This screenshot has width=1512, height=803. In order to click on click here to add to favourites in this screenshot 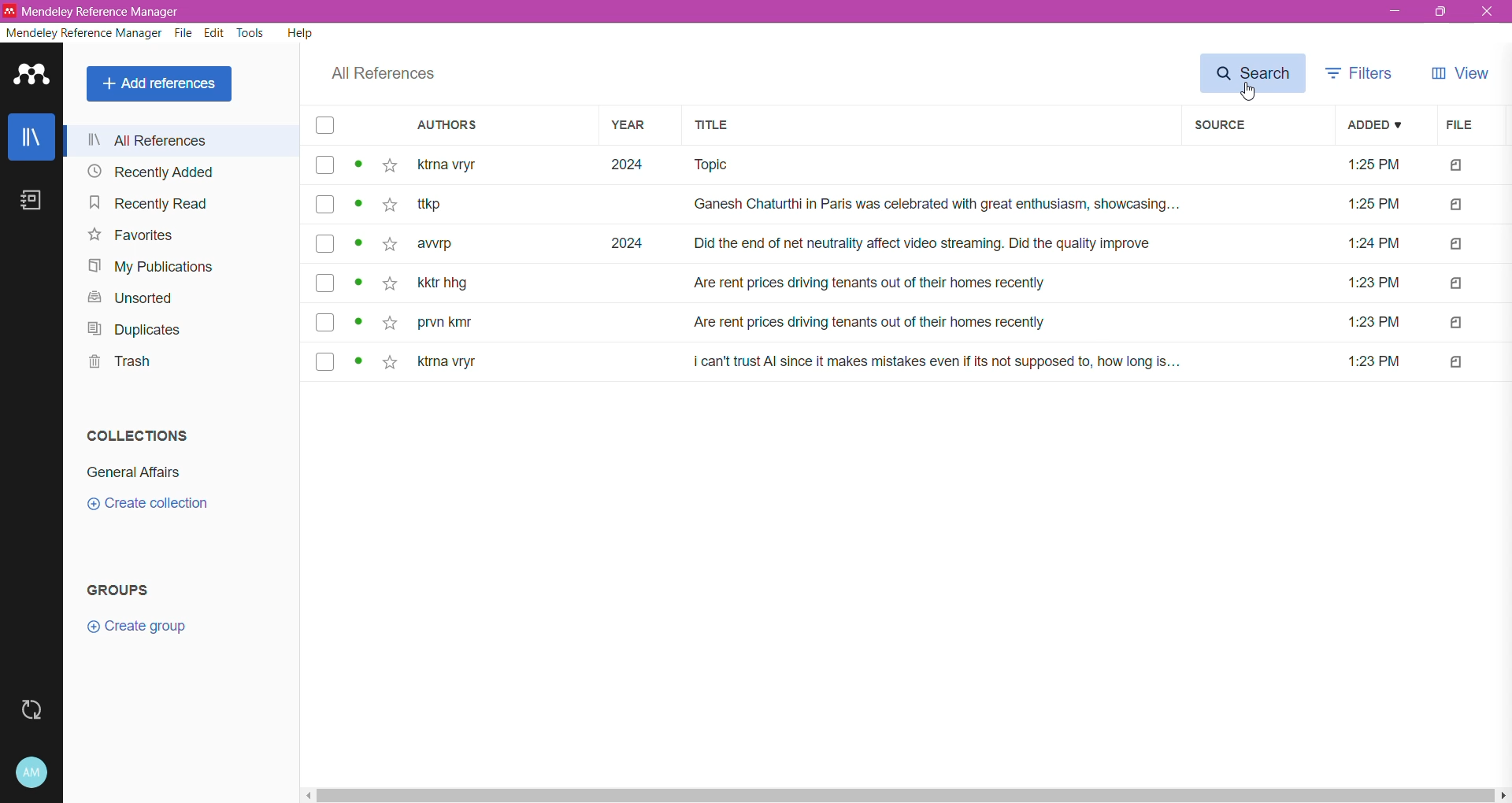, I will do `click(388, 287)`.